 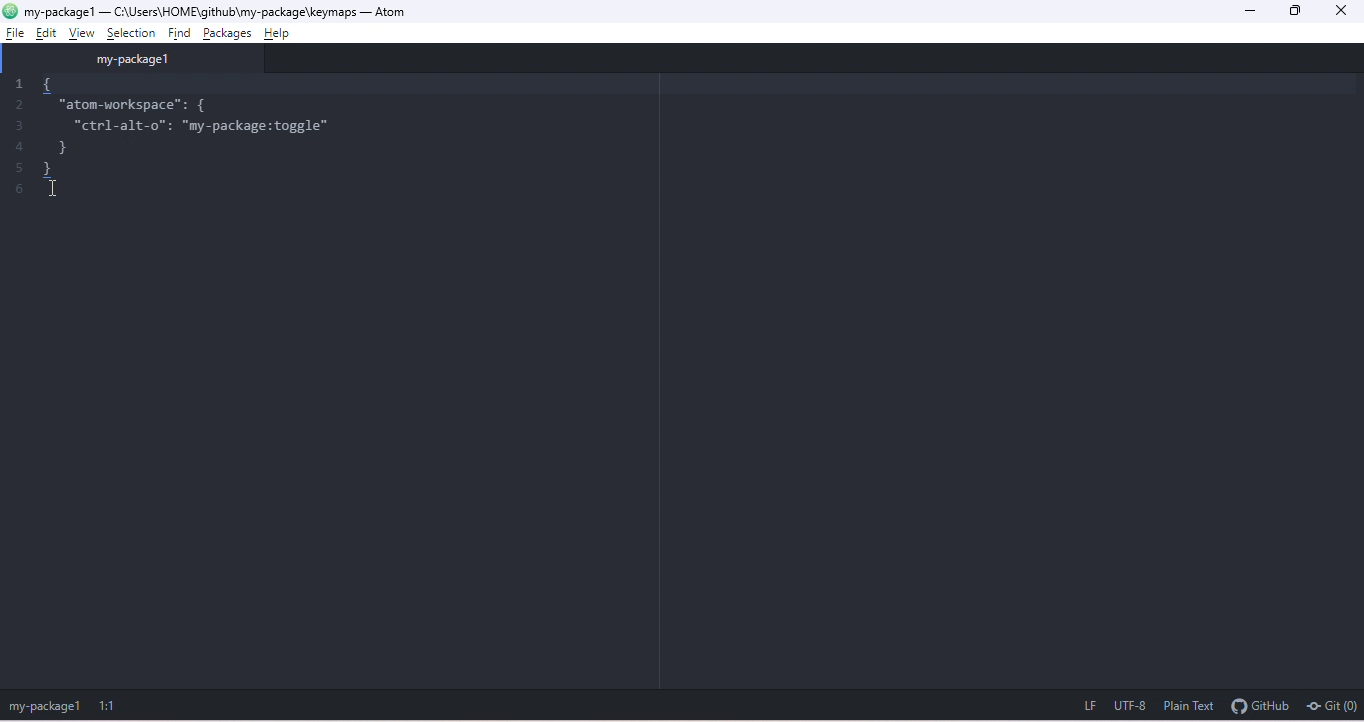 I want to click on packages, so click(x=230, y=34).